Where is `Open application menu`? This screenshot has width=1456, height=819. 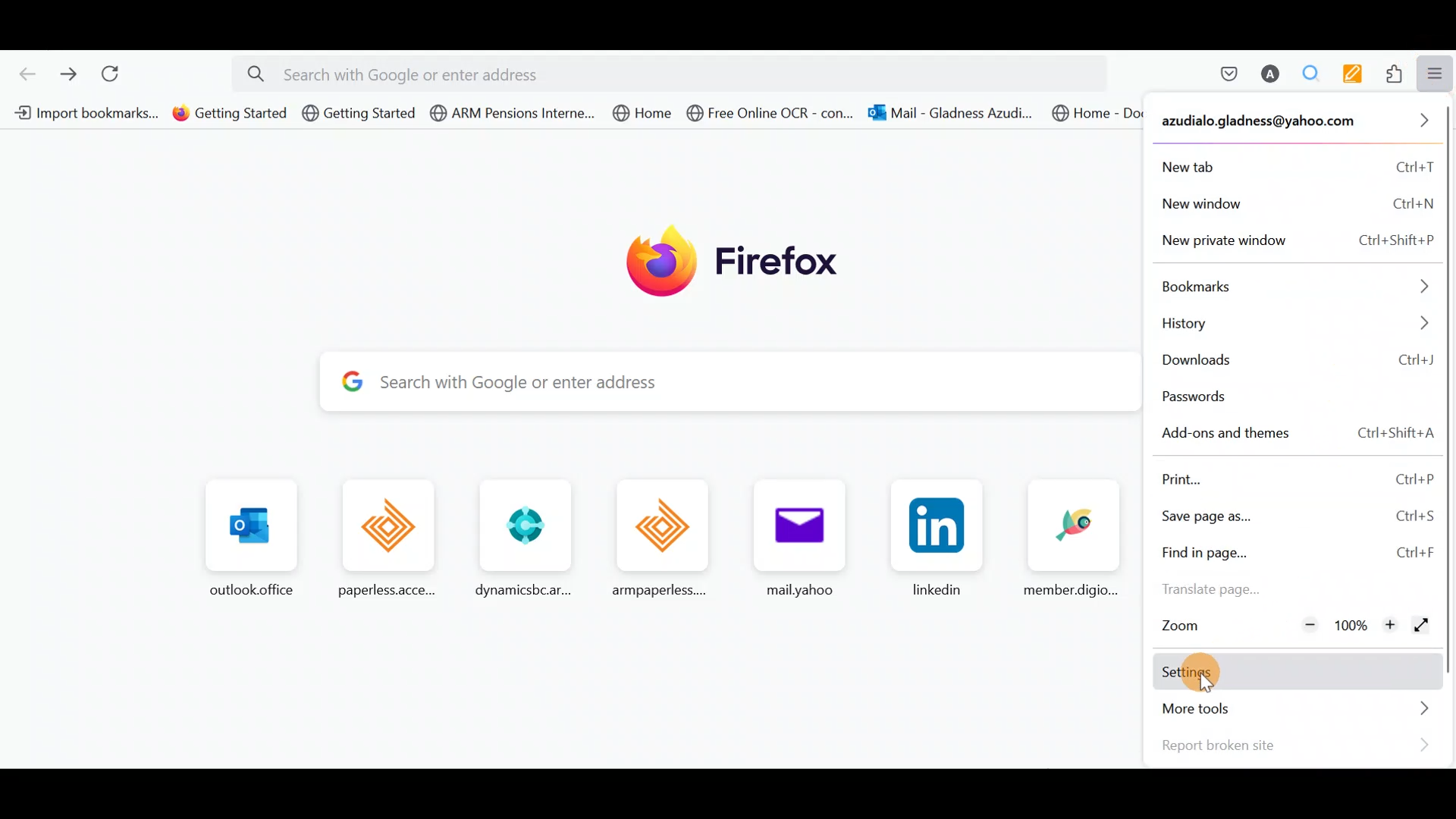
Open application menu is located at coordinates (1433, 75).